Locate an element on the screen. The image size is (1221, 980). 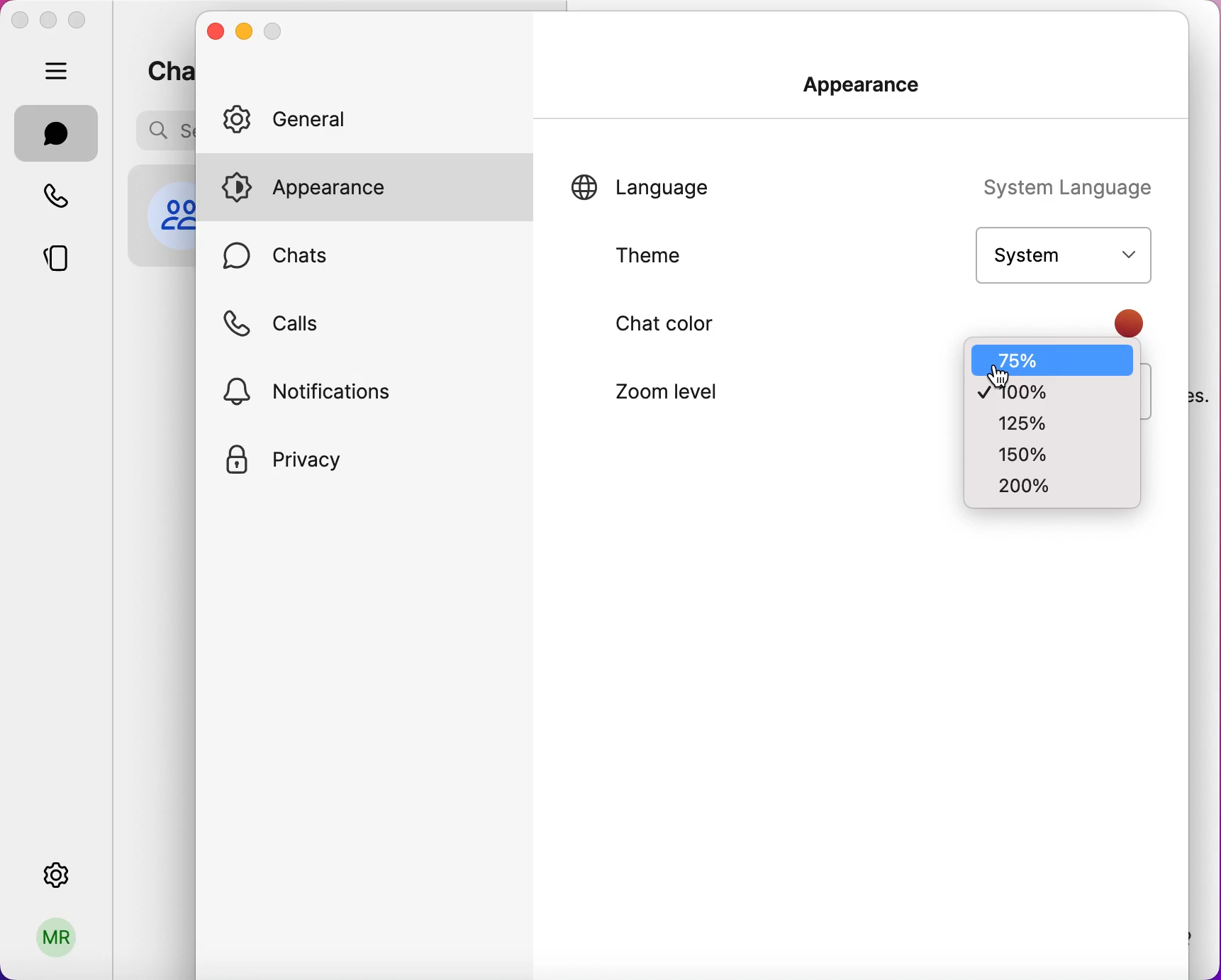
75% is located at coordinates (1059, 357).